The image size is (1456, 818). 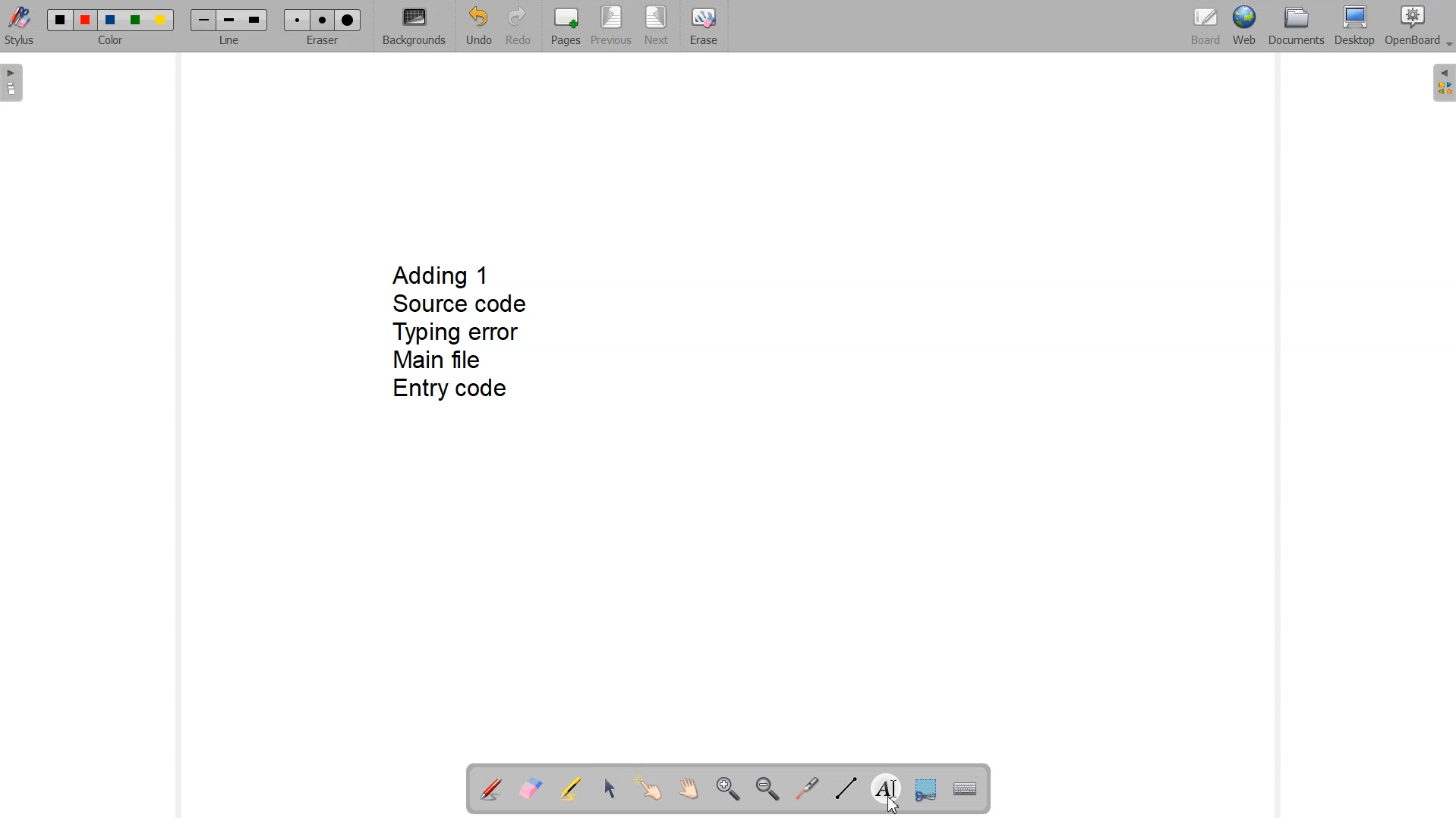 What do you see at coordinates (323, 20) in the screenshot?
I see `Medium eraser` at bounding box center [323, 20].